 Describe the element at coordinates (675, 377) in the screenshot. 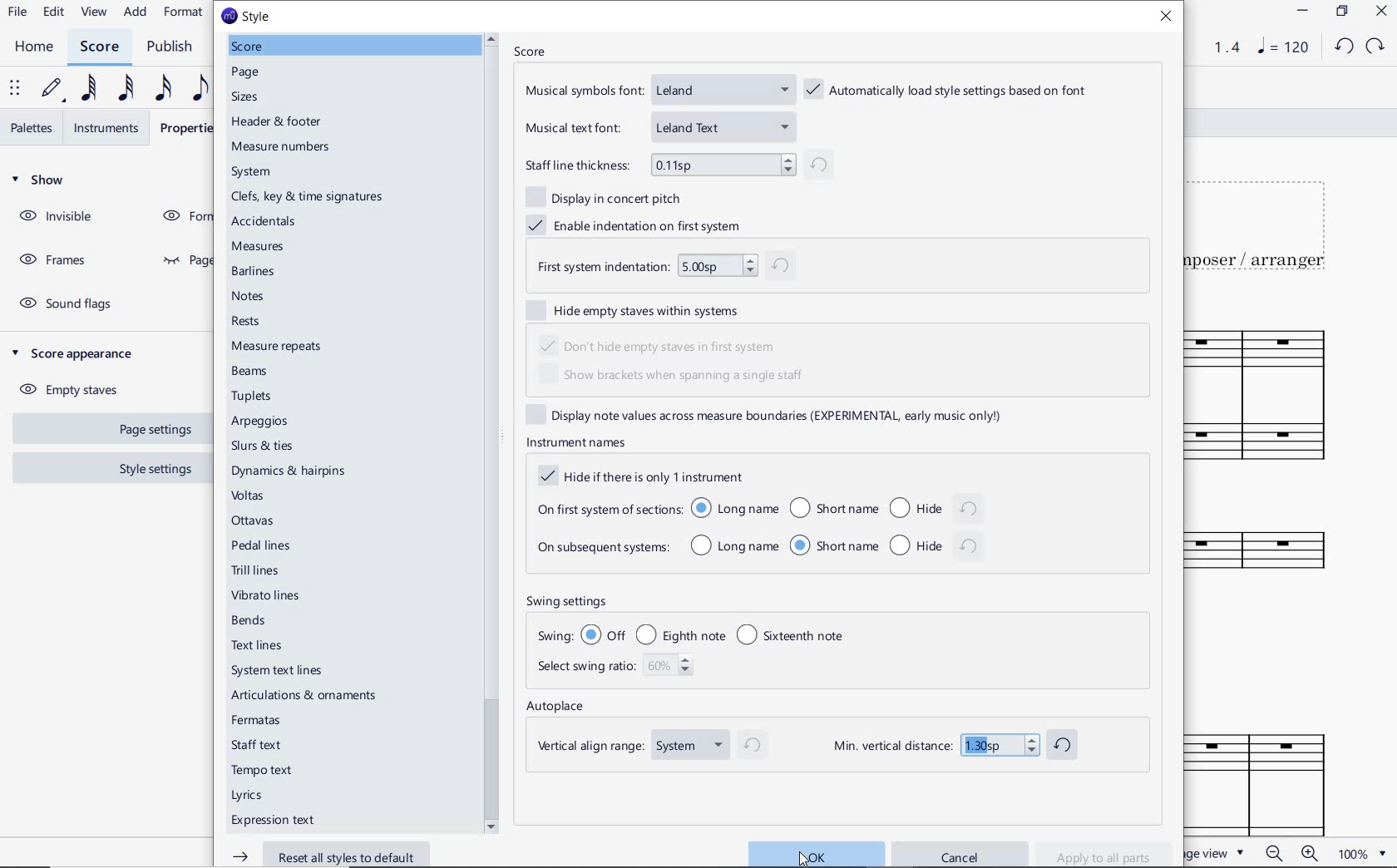

I see `SHOW BRACKETS ` at that location.